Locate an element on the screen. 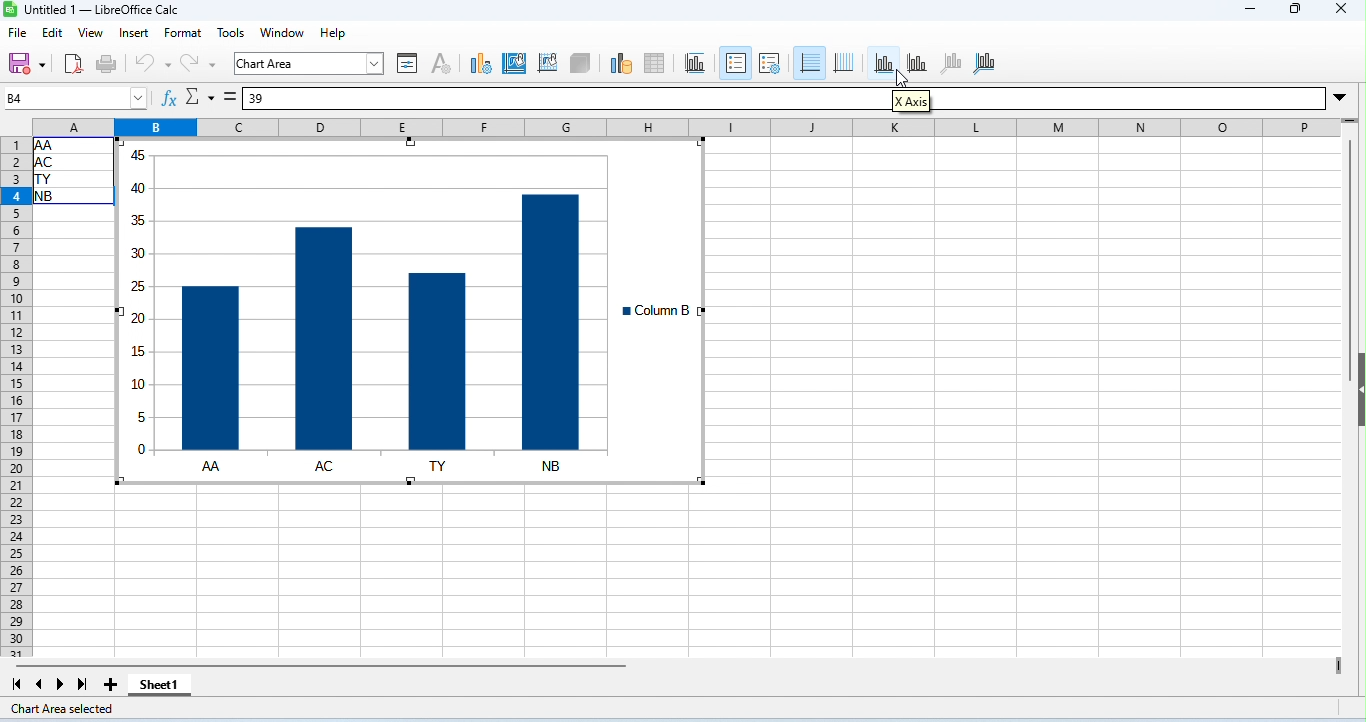  save is located at coordinates (25, 62).